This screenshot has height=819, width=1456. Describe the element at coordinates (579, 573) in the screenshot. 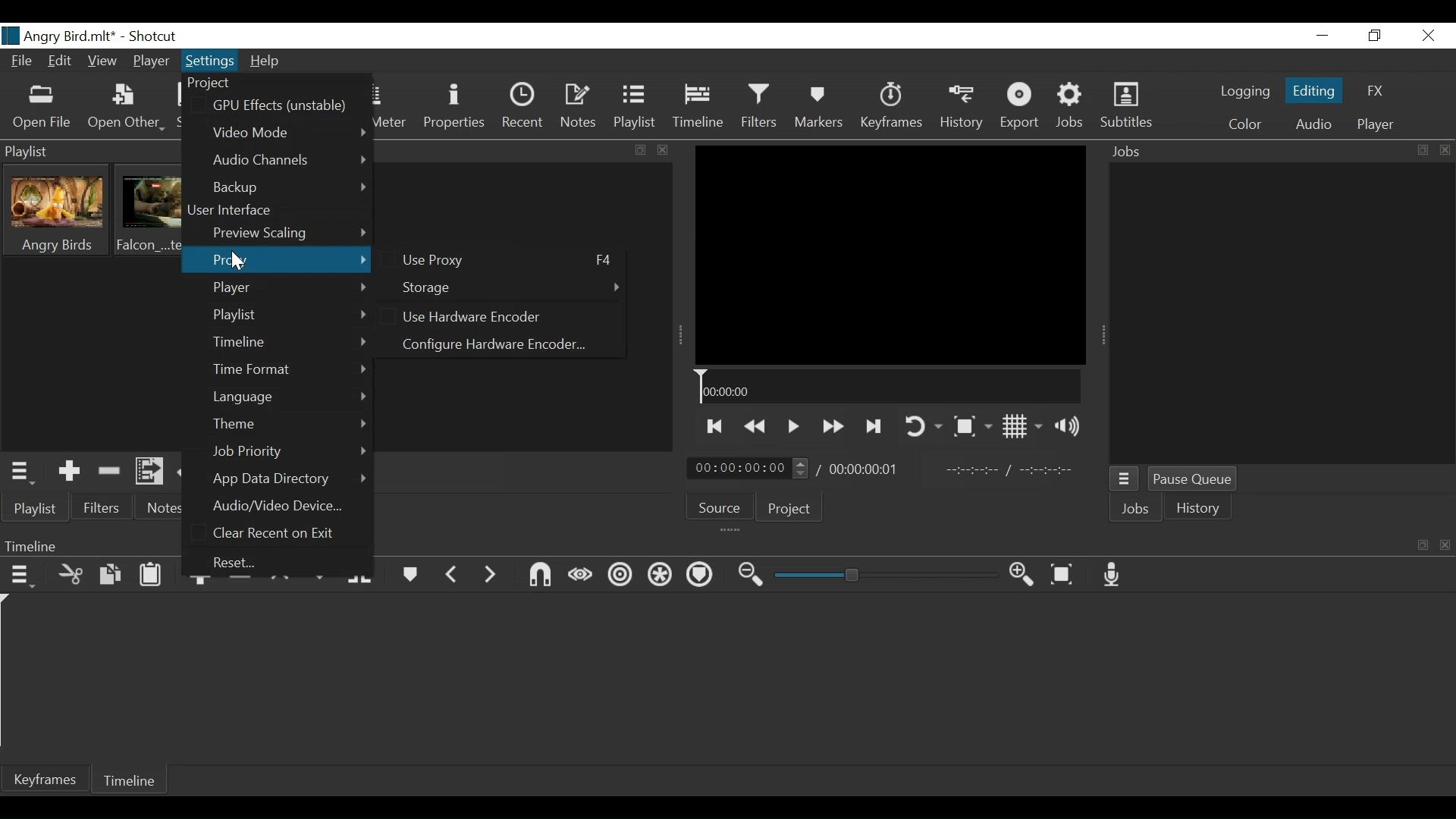

I see `Scrub while dragging` at that location.